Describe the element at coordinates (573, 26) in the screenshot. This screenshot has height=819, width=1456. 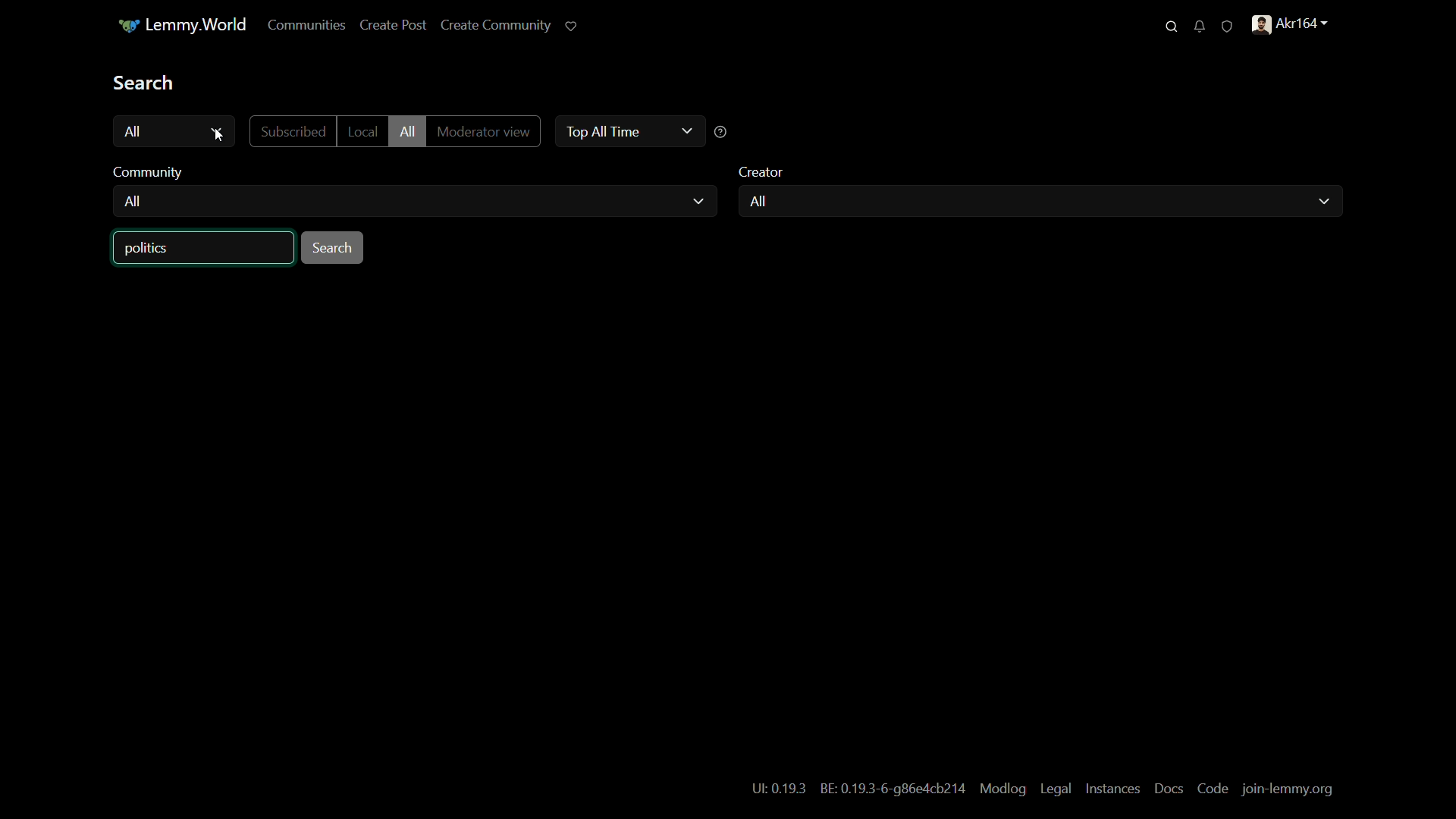
I see `support lemmy.world` at that location.